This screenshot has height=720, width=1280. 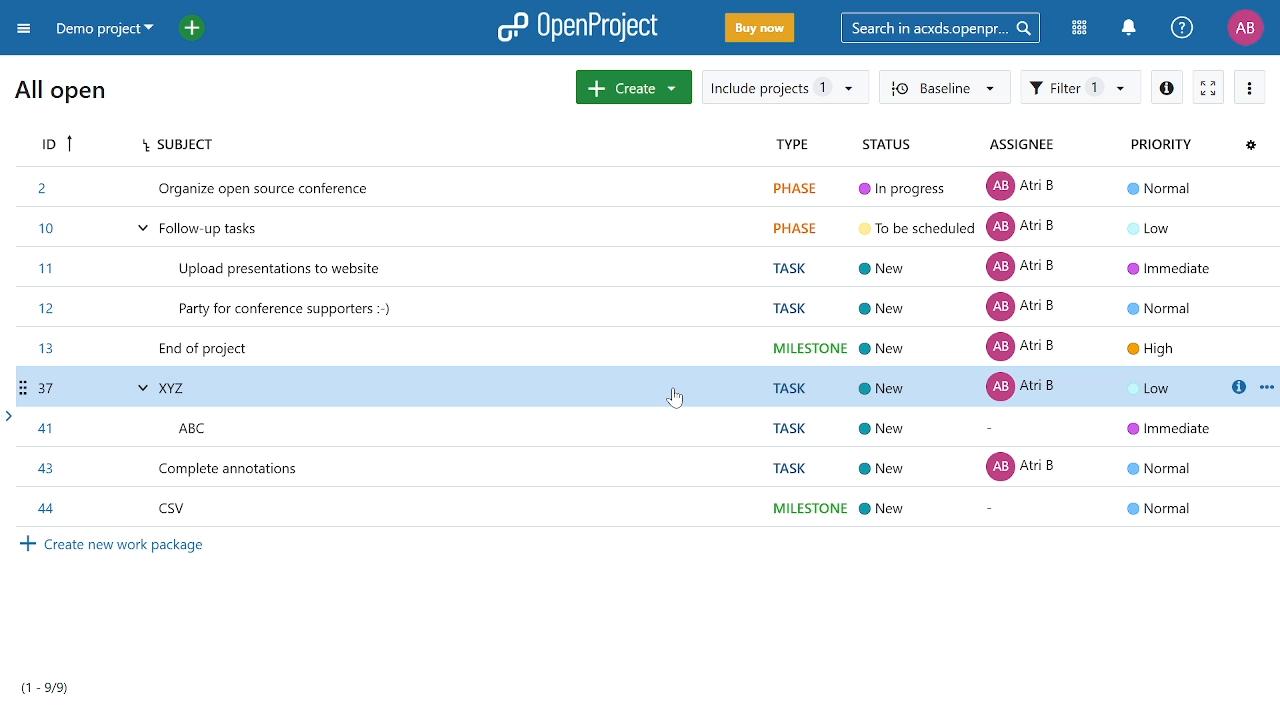 What do you see at coordinates (806, 145) in the screenshot?
I see `Type` at bounding box center [806, 145].